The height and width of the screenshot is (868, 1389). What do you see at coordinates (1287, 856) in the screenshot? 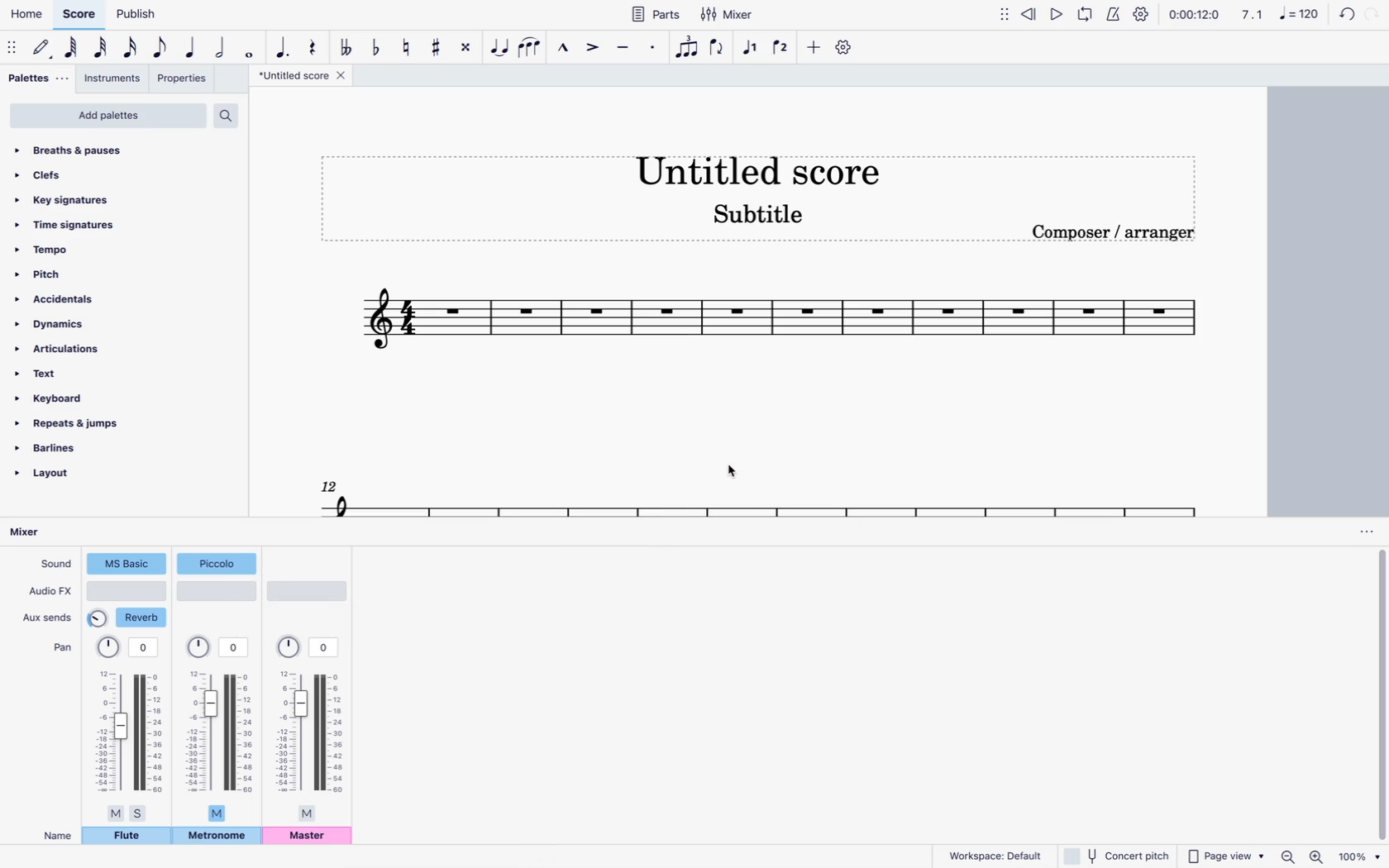
I see `zoom out` at bounding box center [1287, 856].